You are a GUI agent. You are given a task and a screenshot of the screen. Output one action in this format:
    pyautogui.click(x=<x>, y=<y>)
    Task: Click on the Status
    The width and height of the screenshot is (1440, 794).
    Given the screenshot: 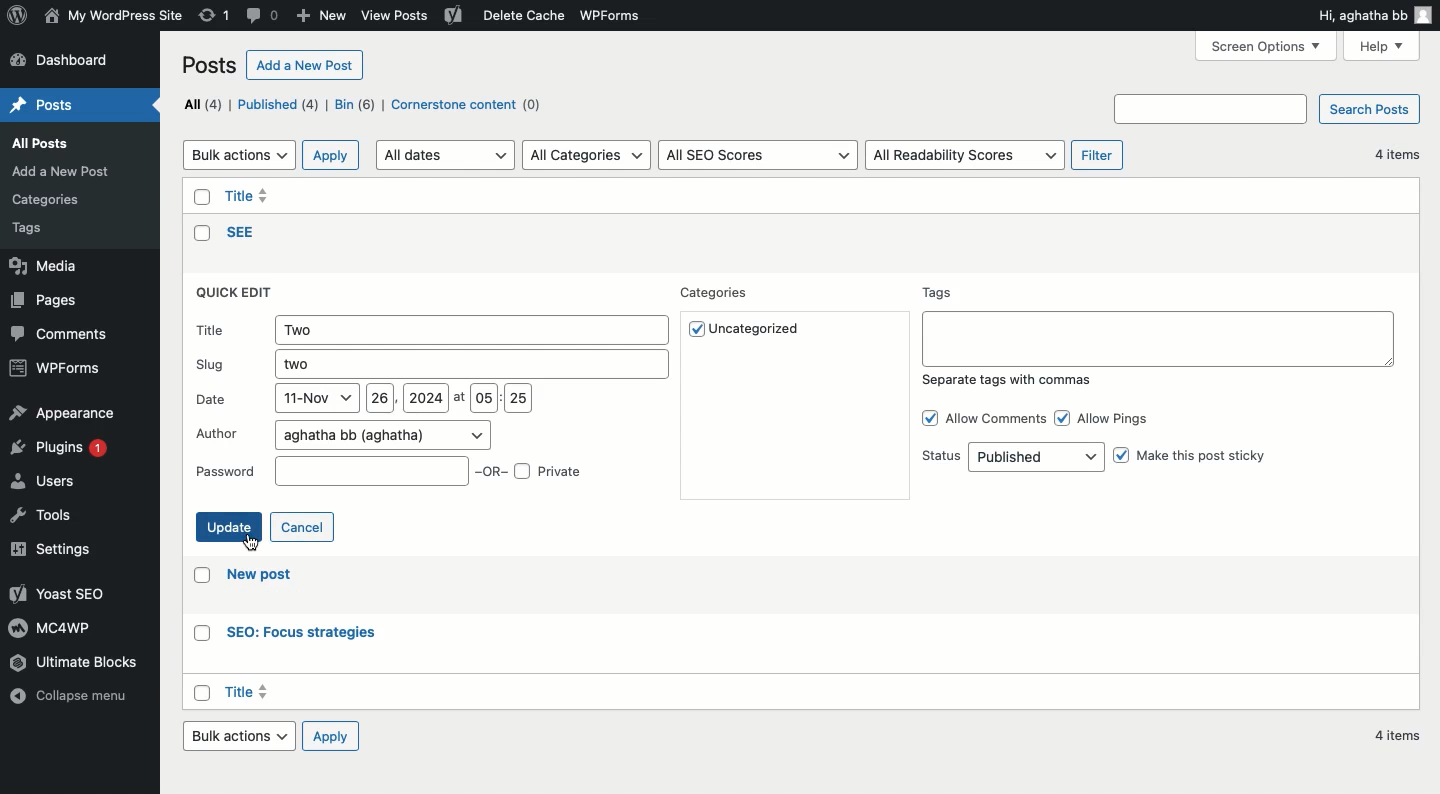 What is the action you would take?
    pyautogui.click(x=1011, y=457)
    